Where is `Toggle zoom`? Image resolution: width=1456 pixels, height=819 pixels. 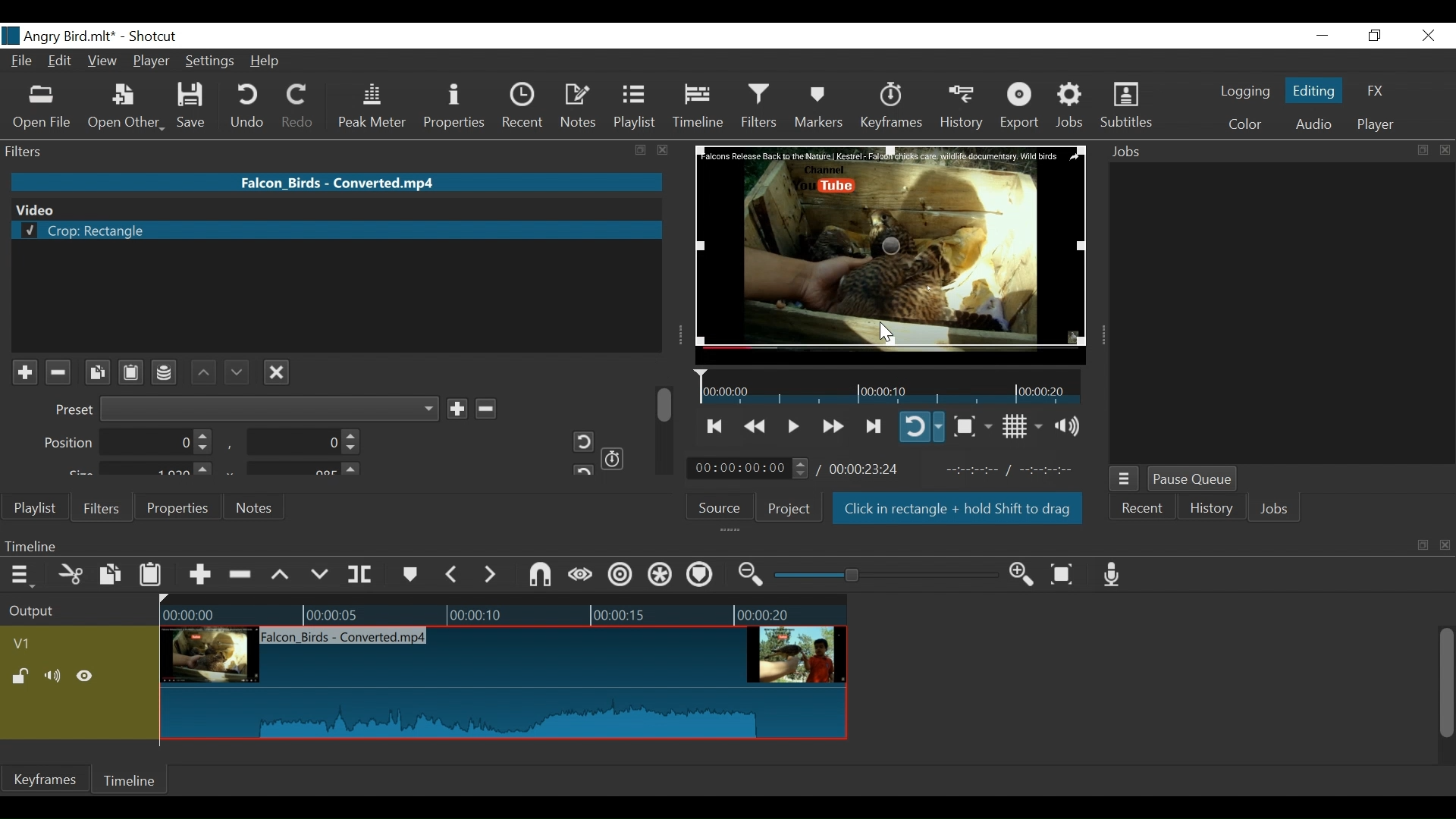 Toggle zoom is located at coordinates (972, 426).